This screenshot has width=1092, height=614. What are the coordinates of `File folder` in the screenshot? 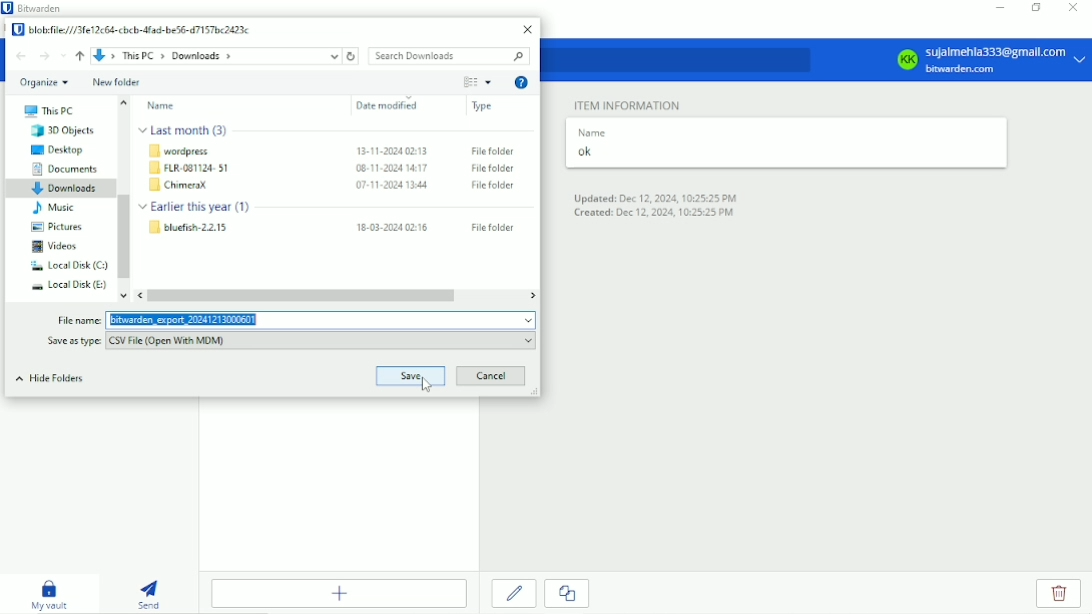 It's located at (493, 150).